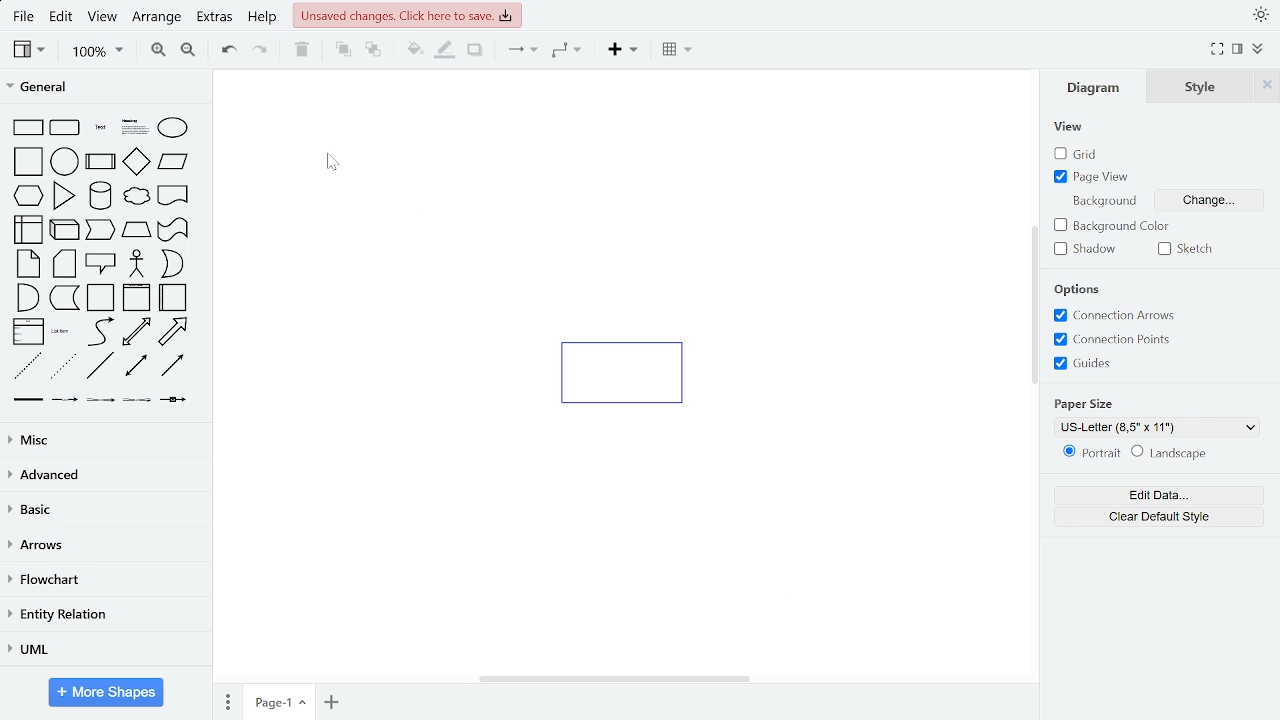  I want to click on advanced, so click(103, 476).